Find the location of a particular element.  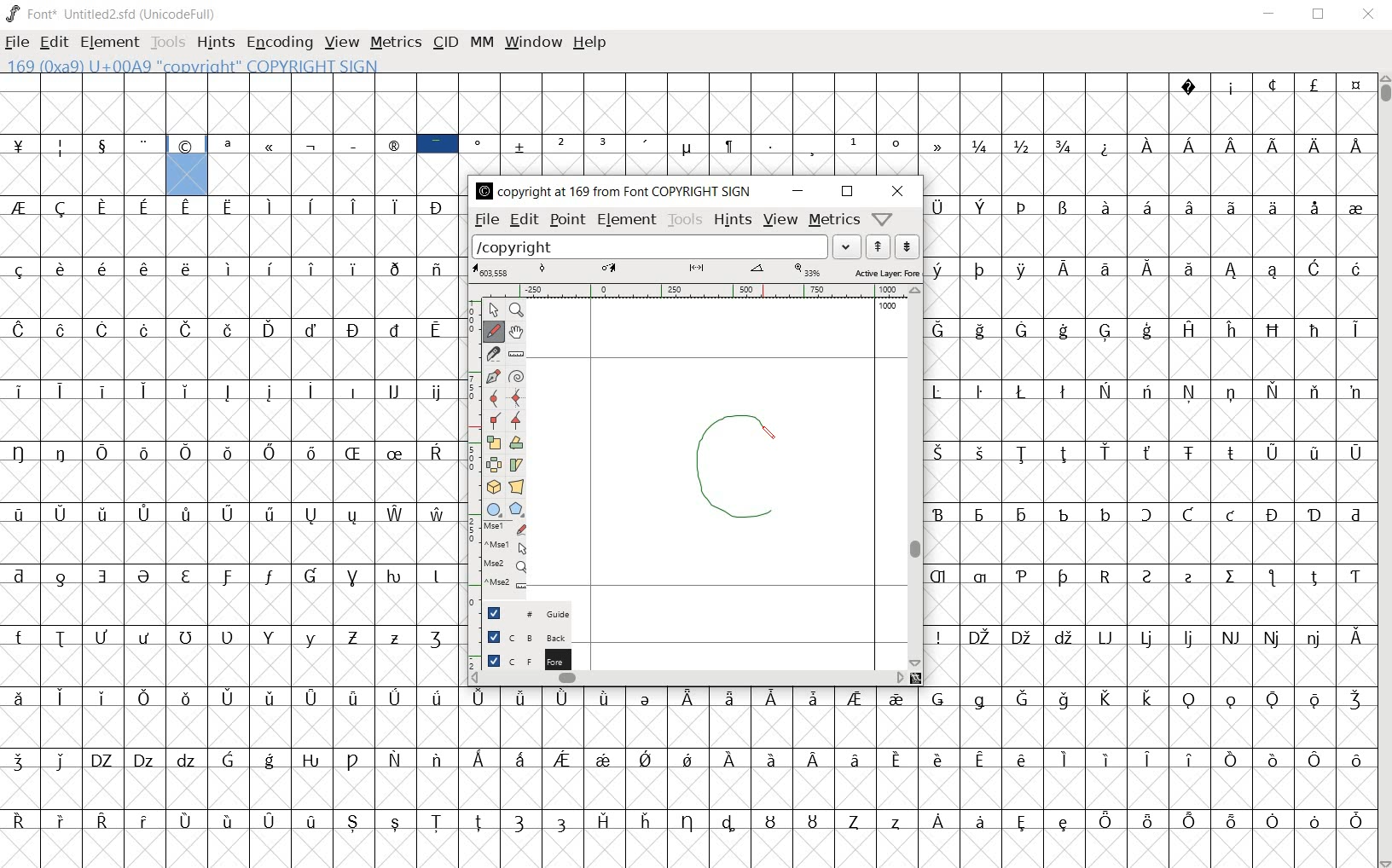

cid is located at coordinates (444, 43).